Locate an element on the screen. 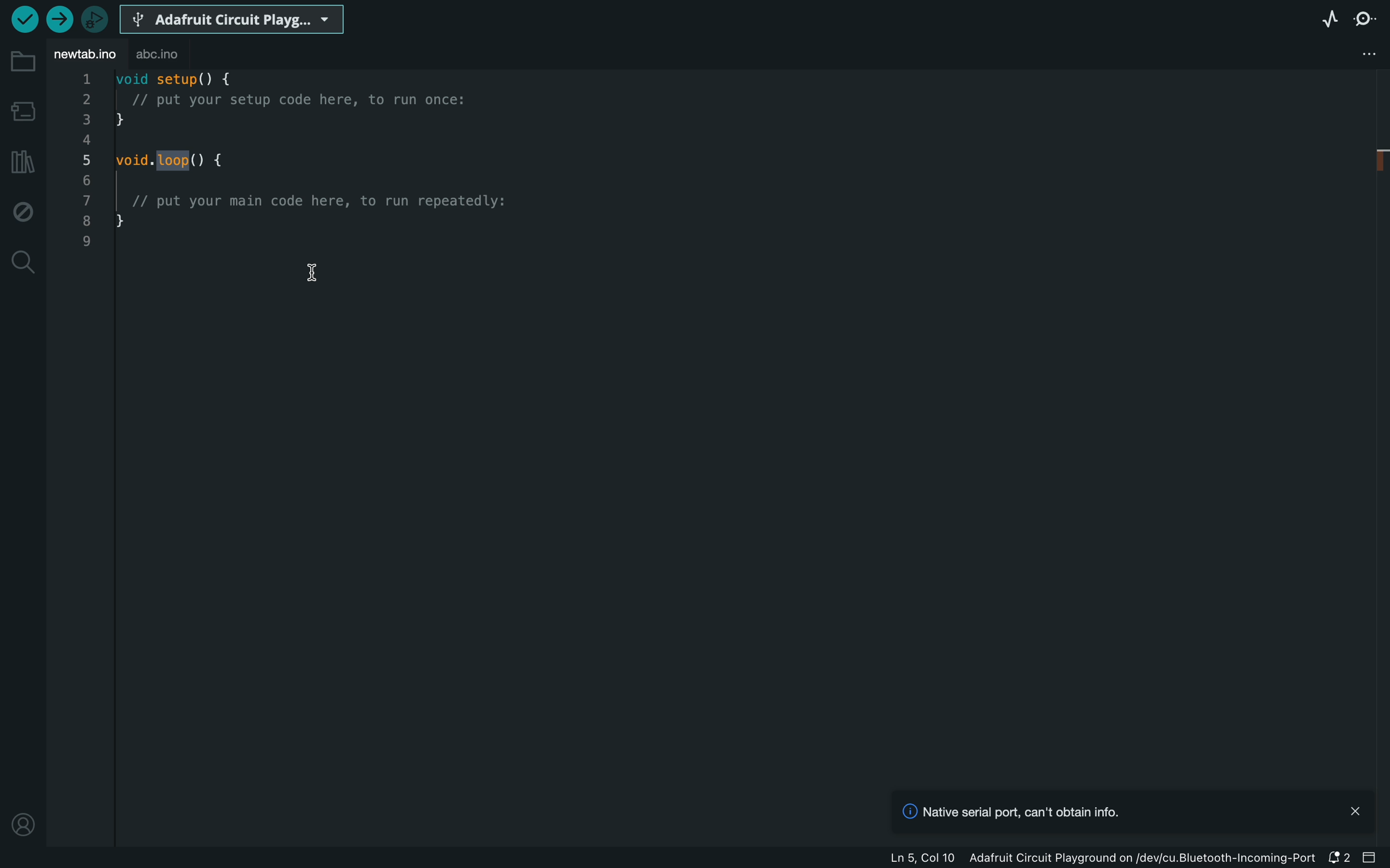 The width and height of the screenshot is (1390, 868). folder is located at coordinates (21, 67).